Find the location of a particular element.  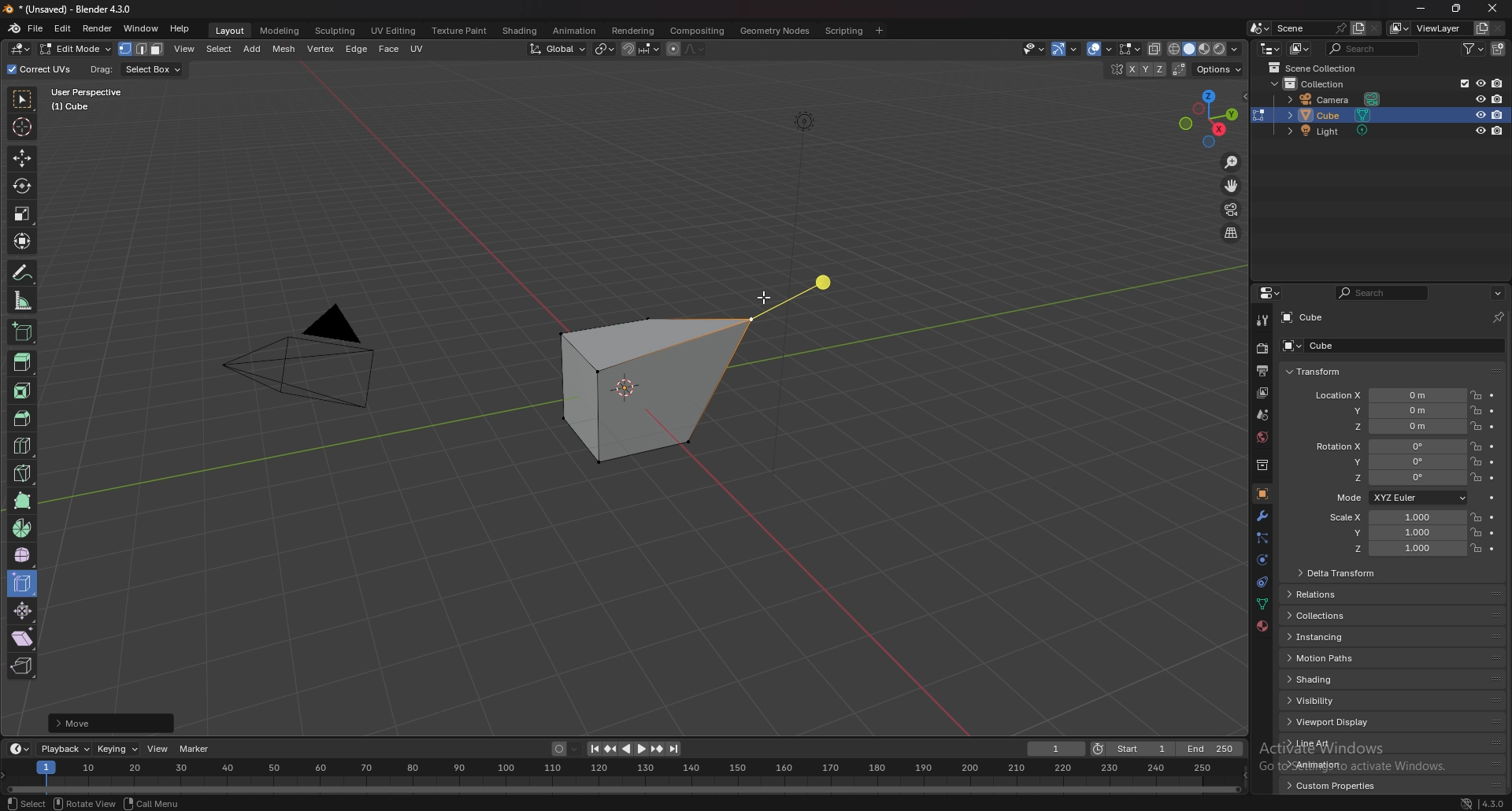

transformation orientation is located at coordinates (558, 49).